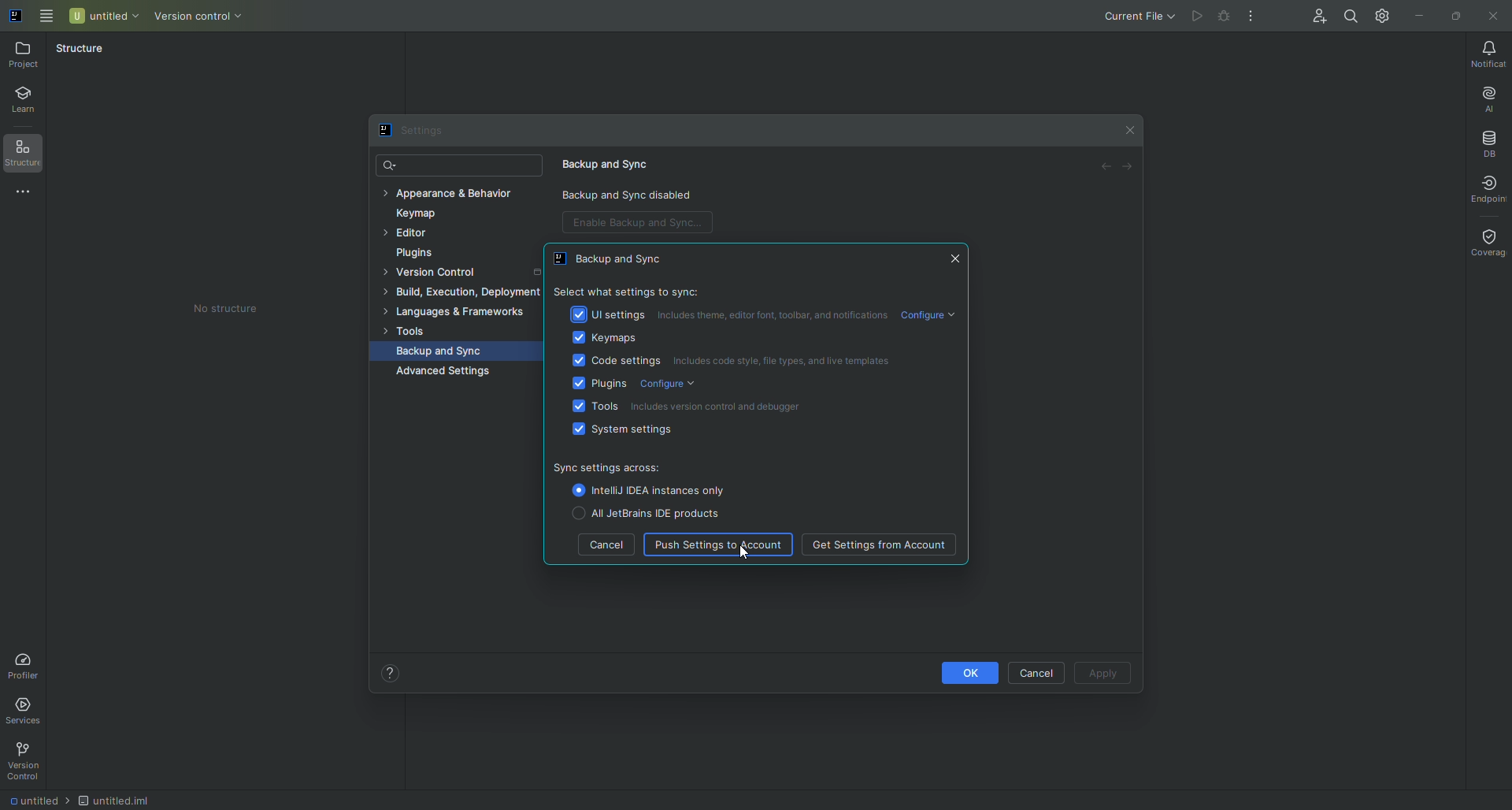  I want to click on , so click(18, 13).